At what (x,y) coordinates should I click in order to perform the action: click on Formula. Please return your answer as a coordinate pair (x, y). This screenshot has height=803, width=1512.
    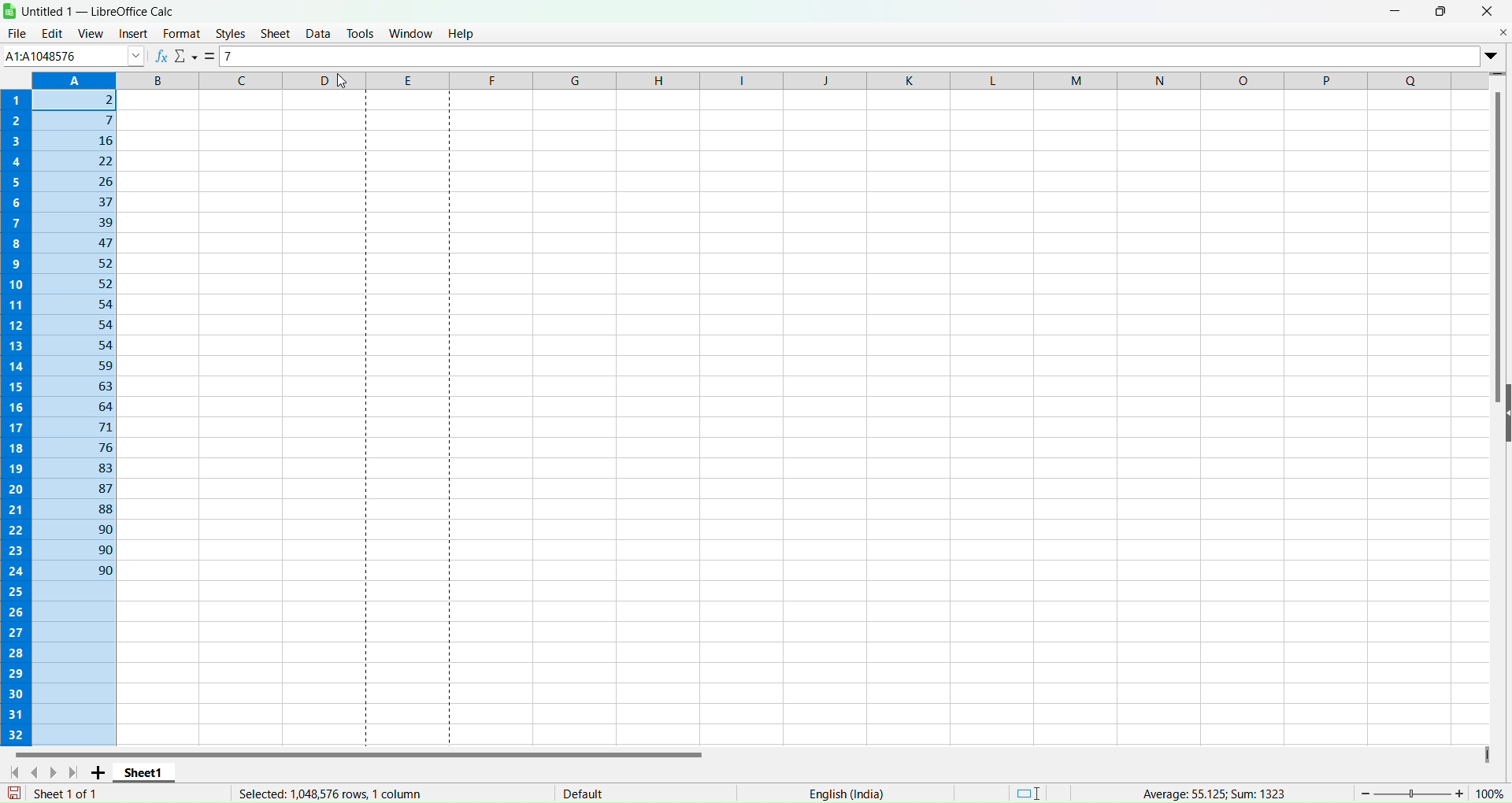
    Looking at the image, I should click on (212, 57).